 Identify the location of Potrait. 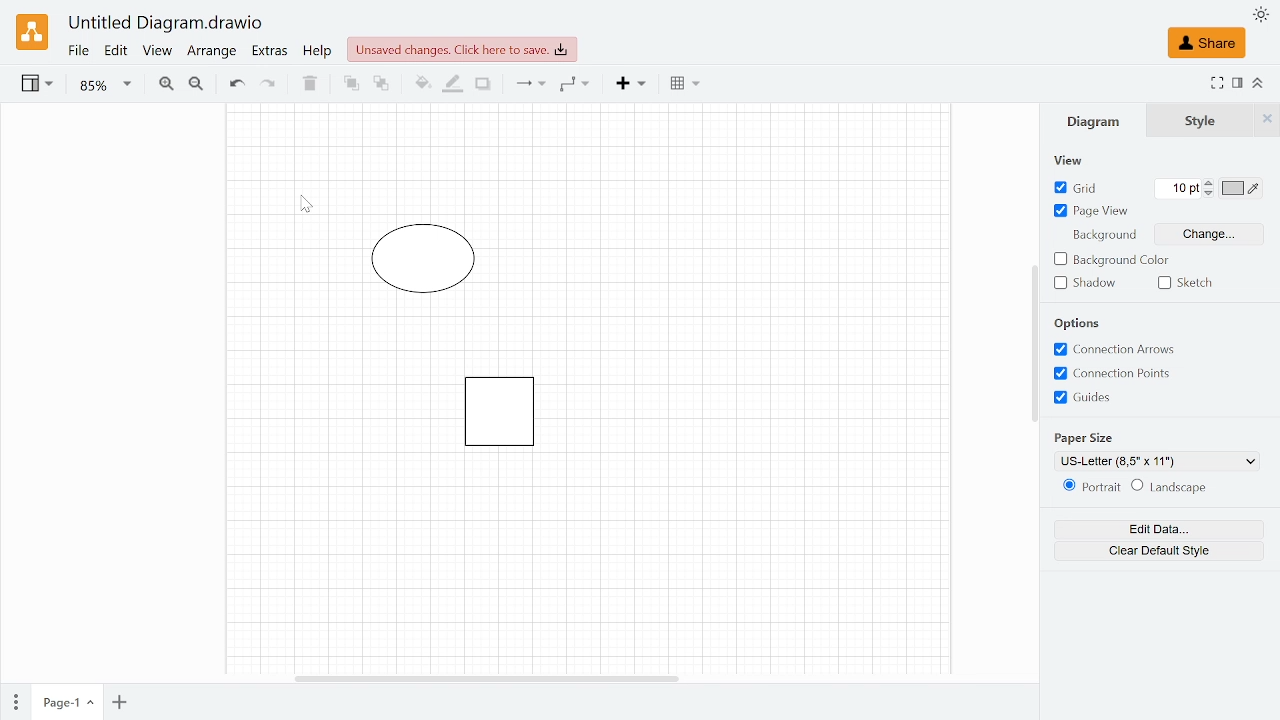
(1088, 488).